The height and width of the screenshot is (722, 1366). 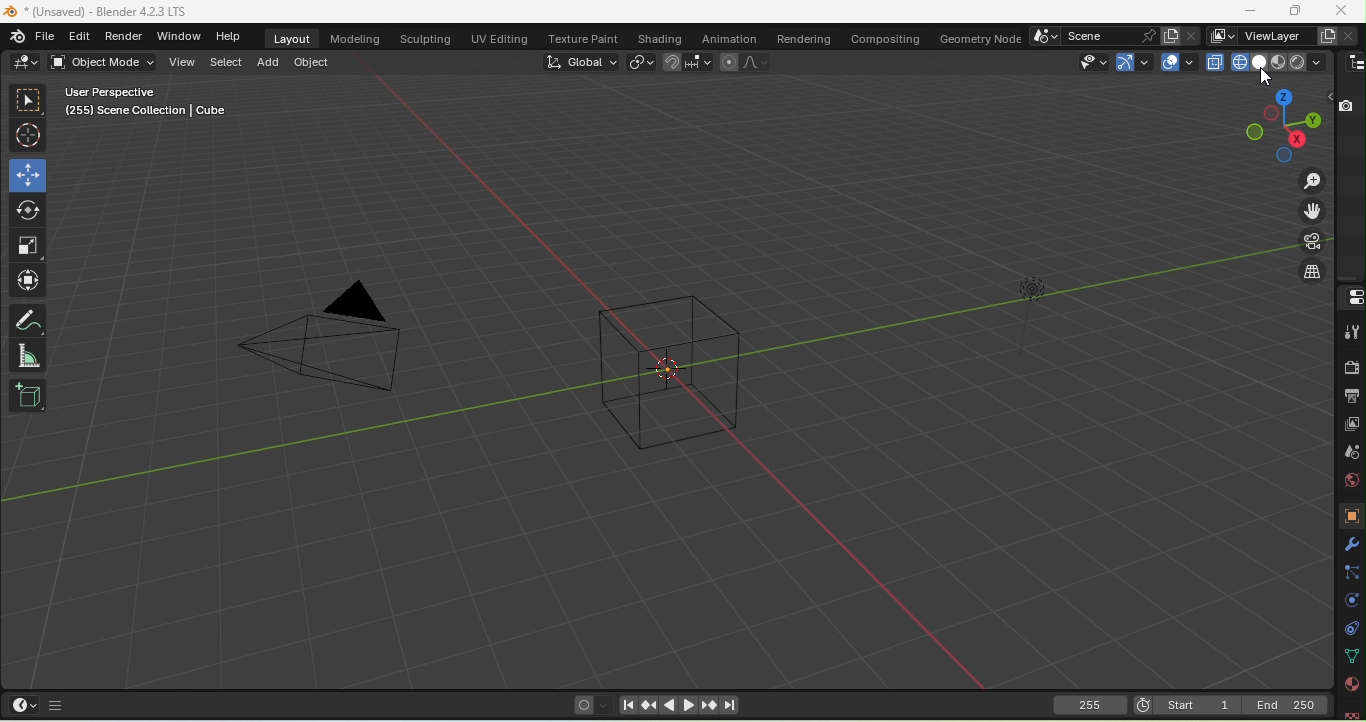 What do you see at coordinates (581, 63) in the screenshot?
I see `Transform orientation` at bounding box center [581, 63].